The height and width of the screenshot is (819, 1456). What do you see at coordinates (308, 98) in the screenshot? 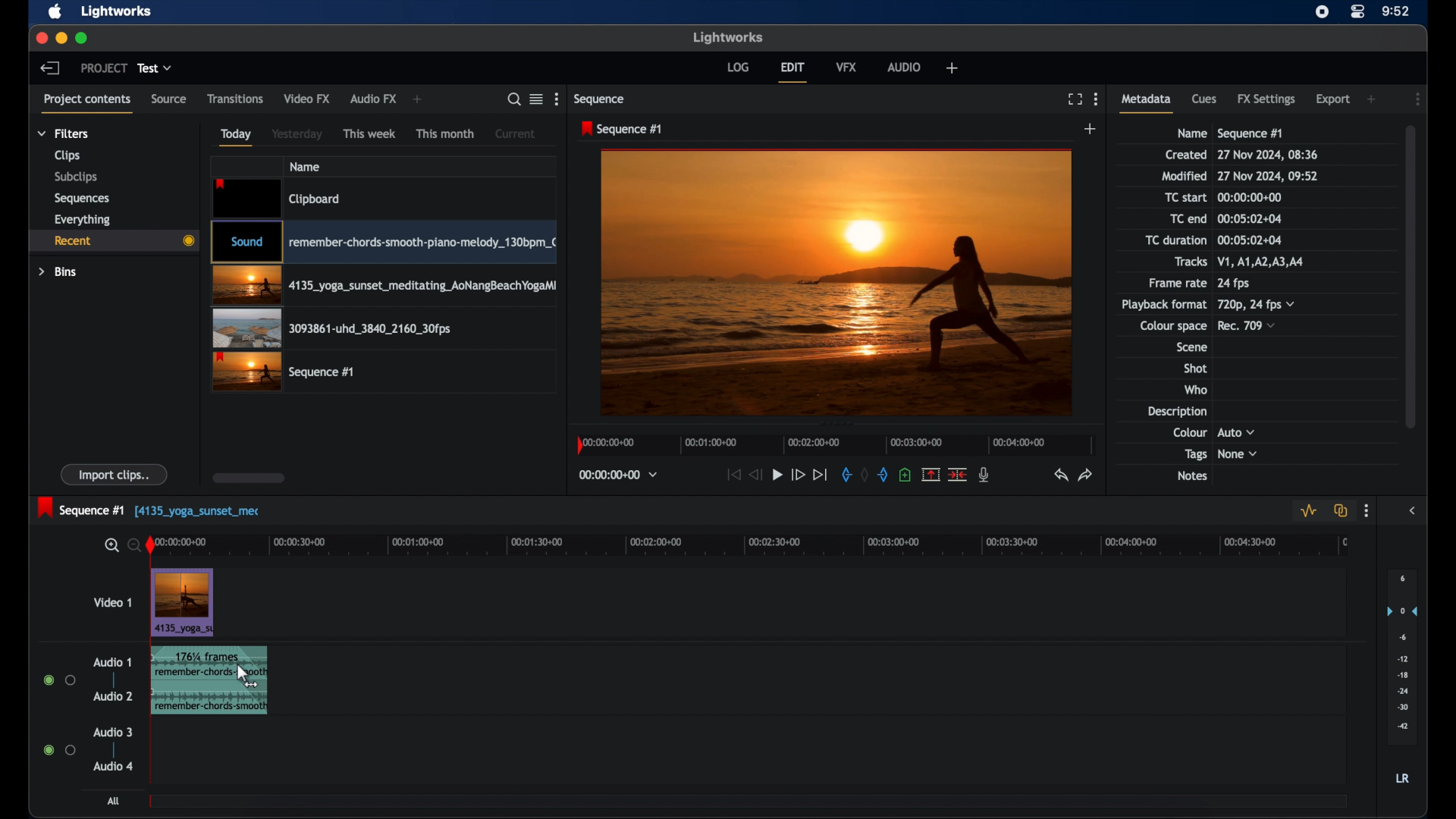
I see `video fx` at bounding box center [308, 98].